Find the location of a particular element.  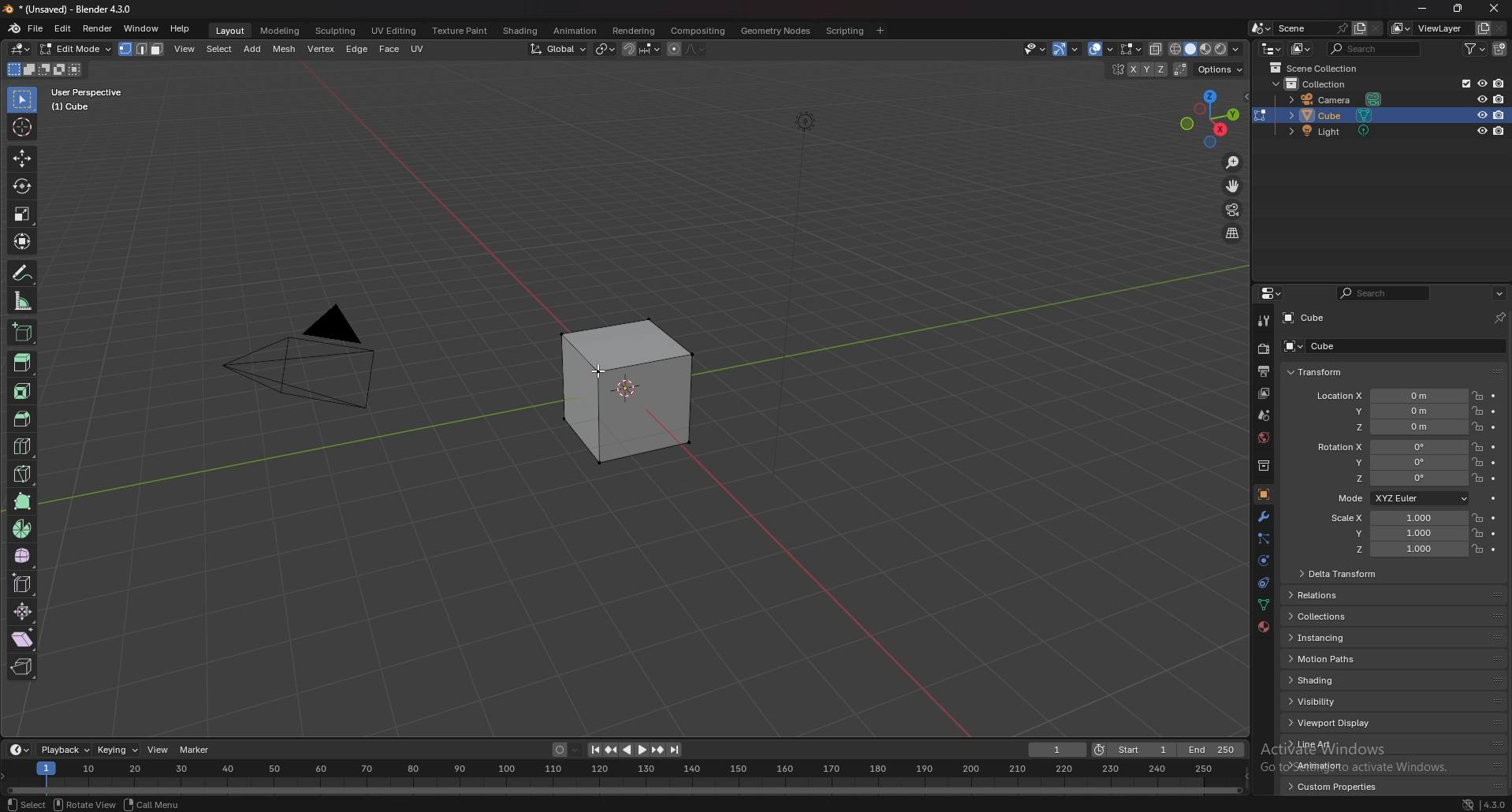

network is located at coordinates (1468, 803).